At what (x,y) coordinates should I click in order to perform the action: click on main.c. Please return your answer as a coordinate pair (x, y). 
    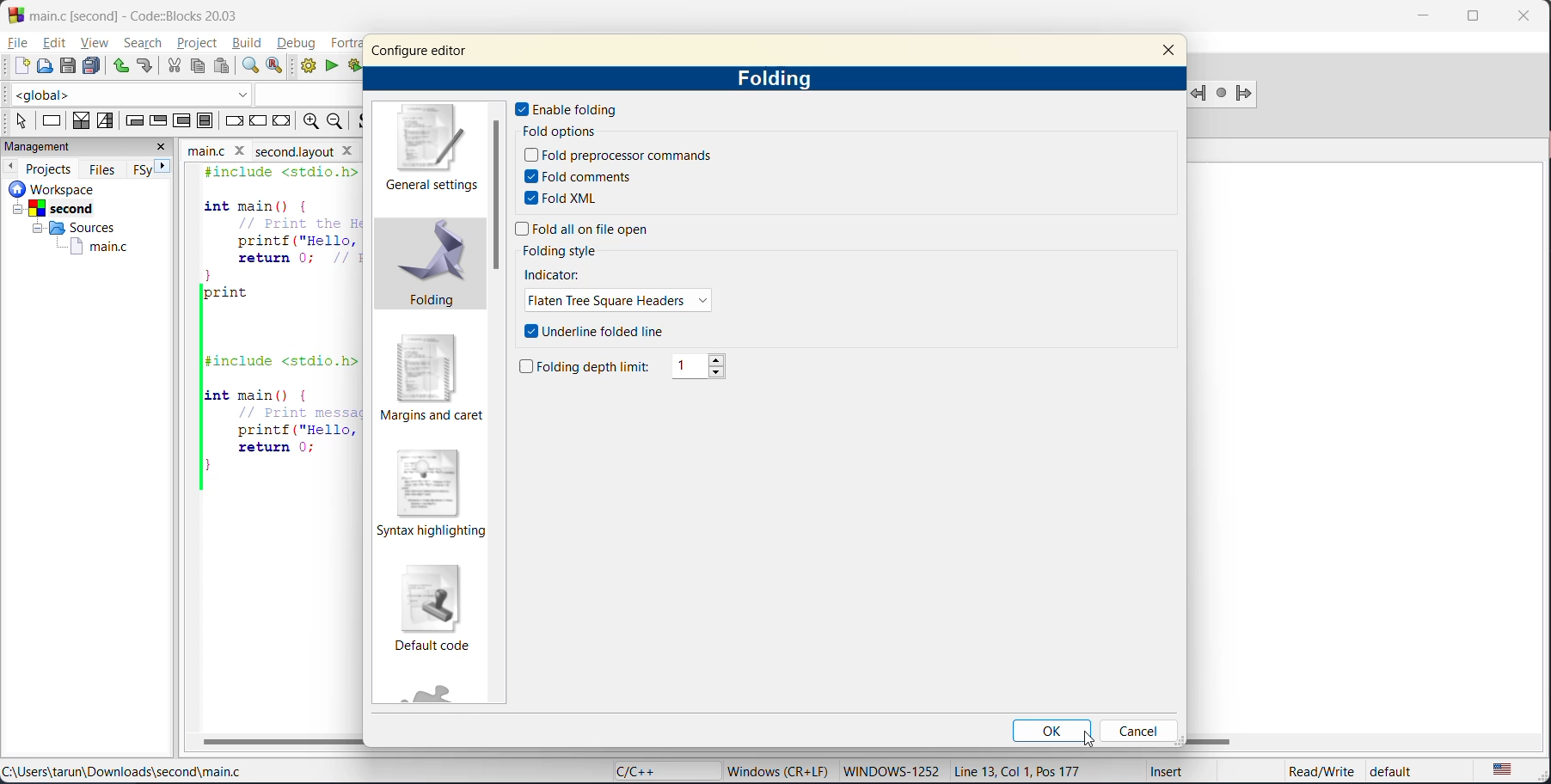
    Looking at the image, I should click on (89, 247).